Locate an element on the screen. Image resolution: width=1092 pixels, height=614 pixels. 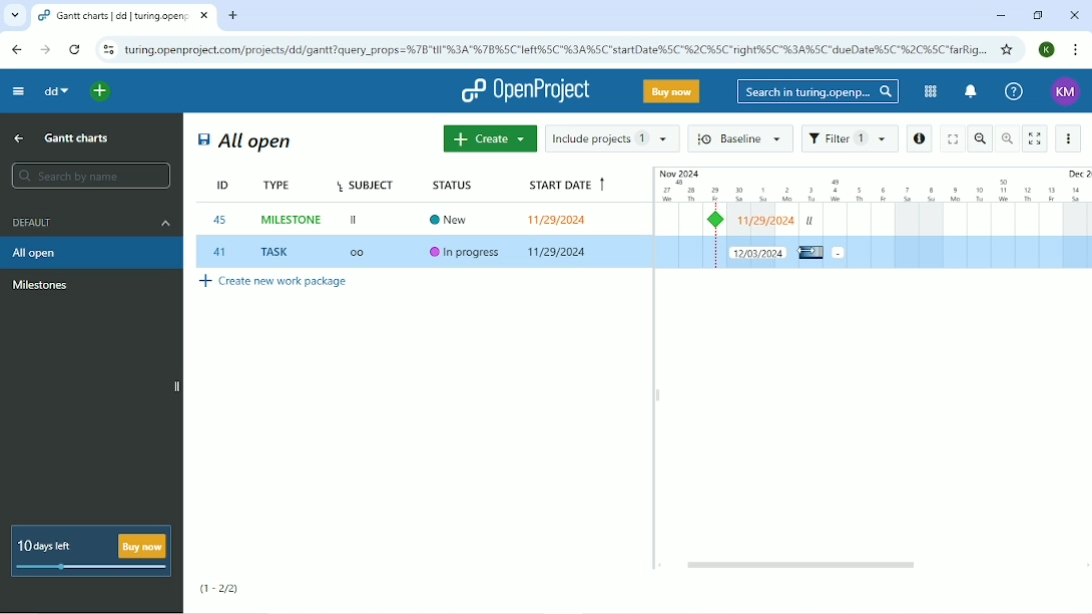
Back is located at coordinates (18, 49).